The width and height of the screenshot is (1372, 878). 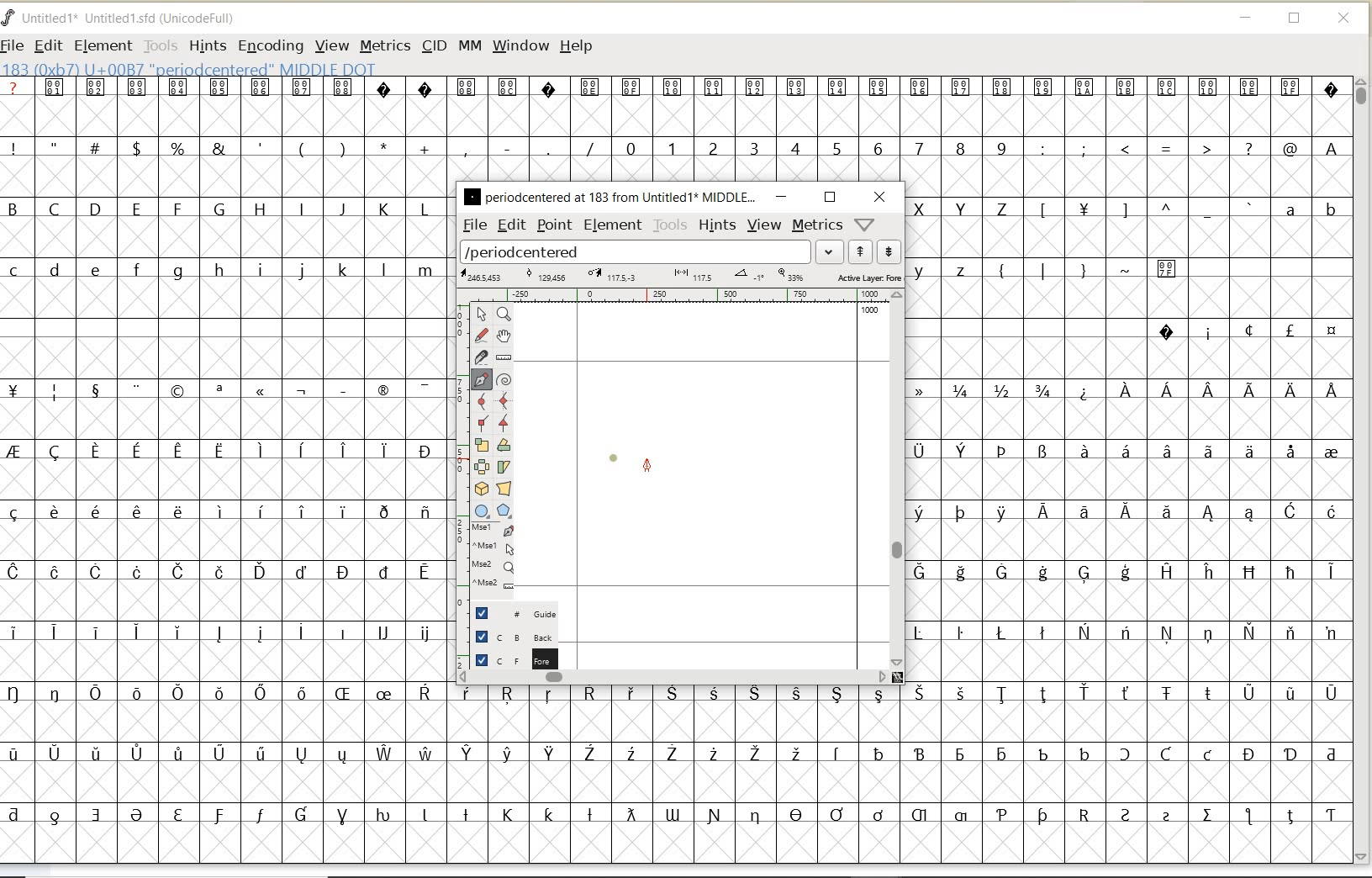 What do you see at coordinates (1345, 19) in the screenshot?
I see `CLOSE` at bounding box center [1345, 19].